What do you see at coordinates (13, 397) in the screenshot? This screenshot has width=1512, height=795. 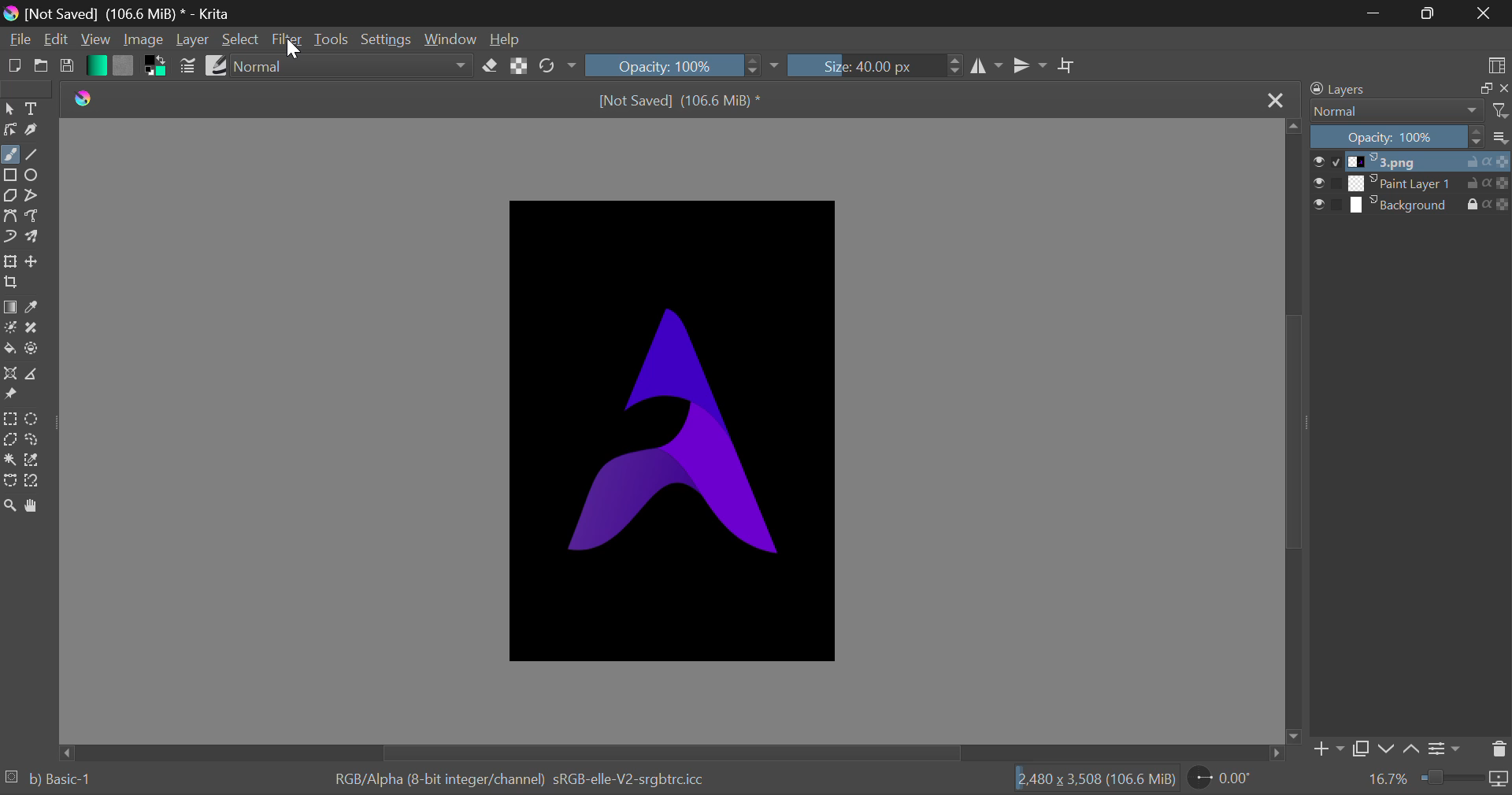 I see `Reference Images` at bounding box center [13, 397].